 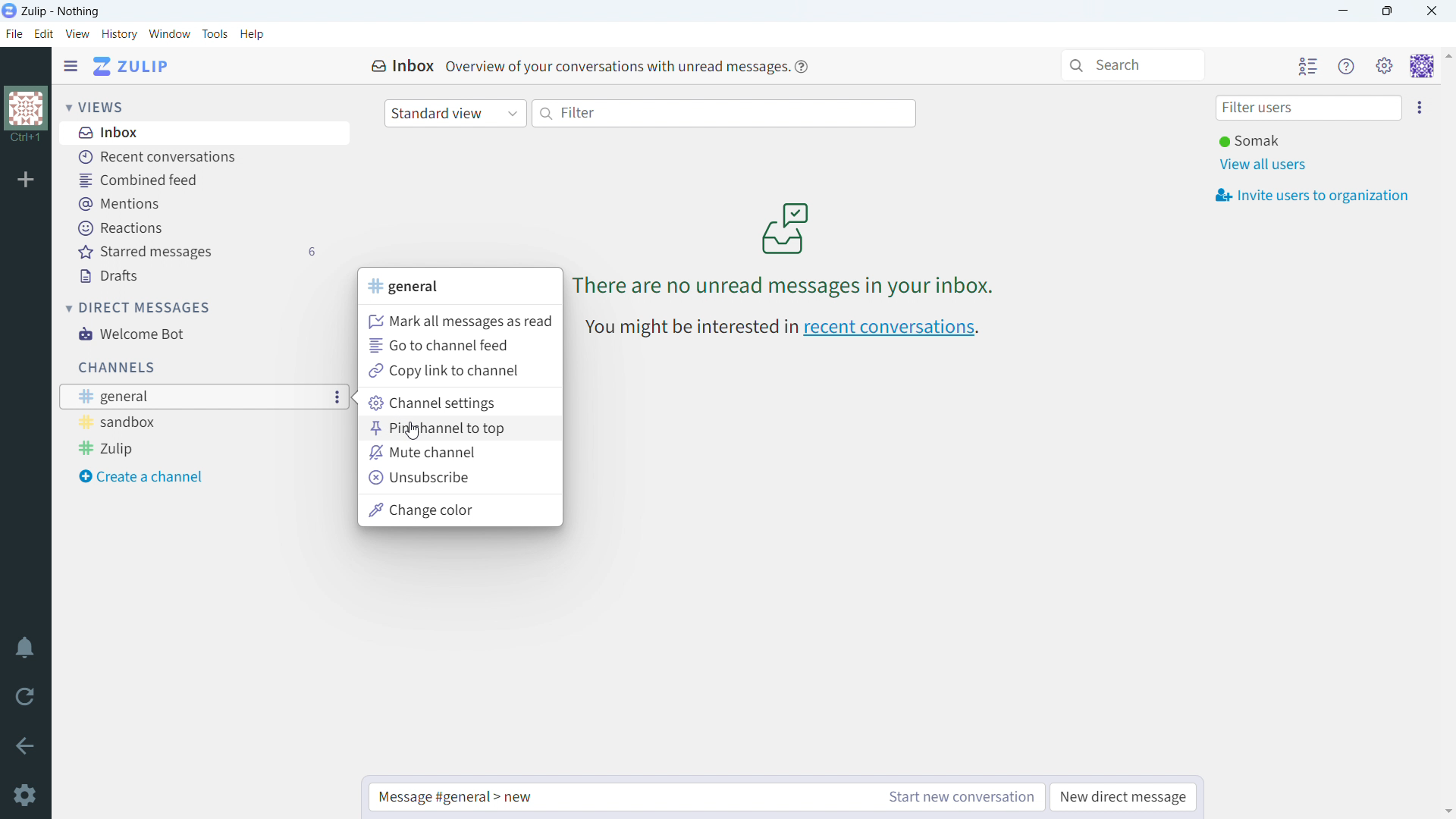 What do you see at coordinates (24, 795) in the screenshot?
I see `settings` at bounding box center [24, 795].